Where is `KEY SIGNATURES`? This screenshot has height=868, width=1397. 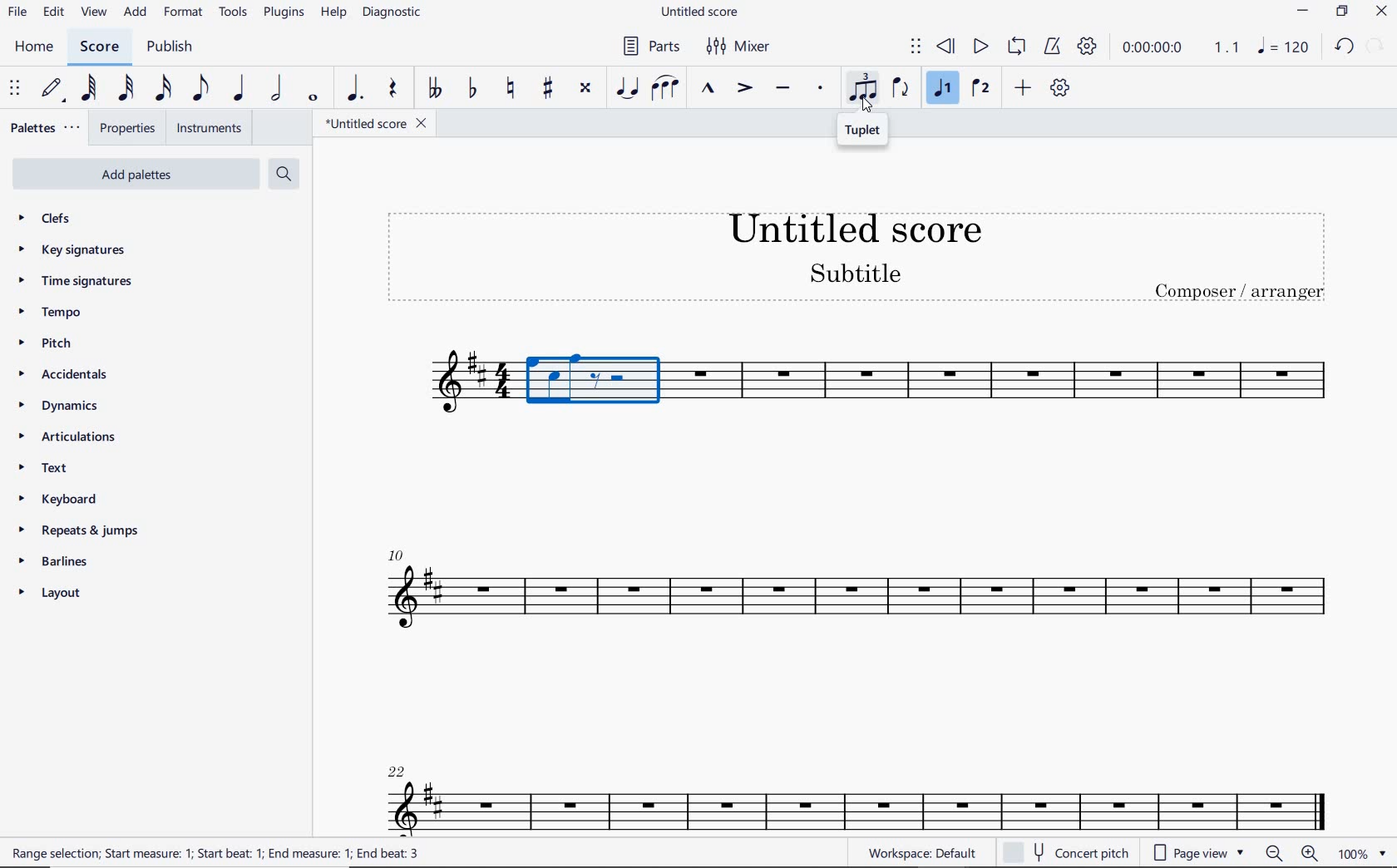 KEY SIGNATURES is located at coordinates (79, 250).